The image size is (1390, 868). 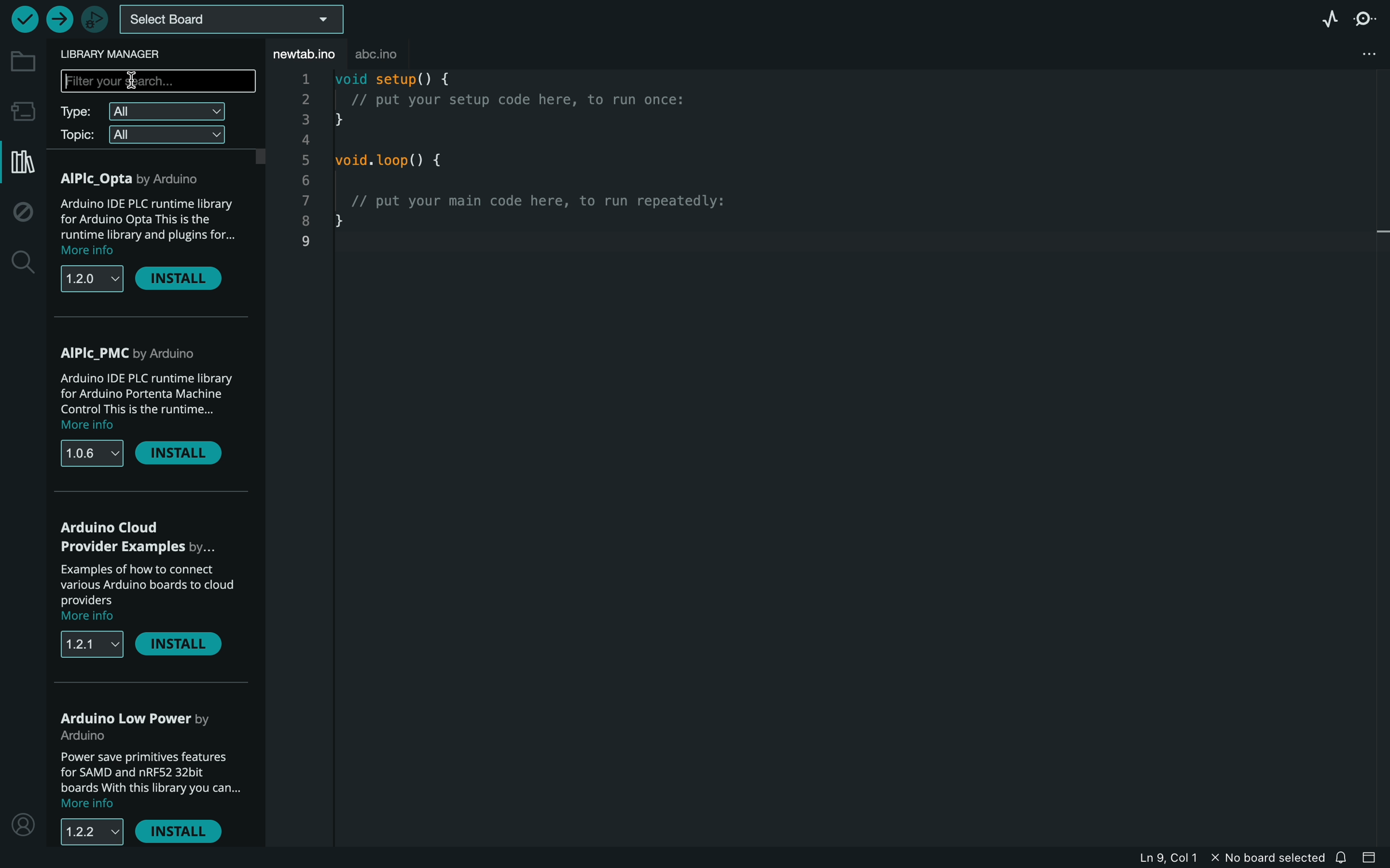 I want to click on versions, so click(x=92, y=452).